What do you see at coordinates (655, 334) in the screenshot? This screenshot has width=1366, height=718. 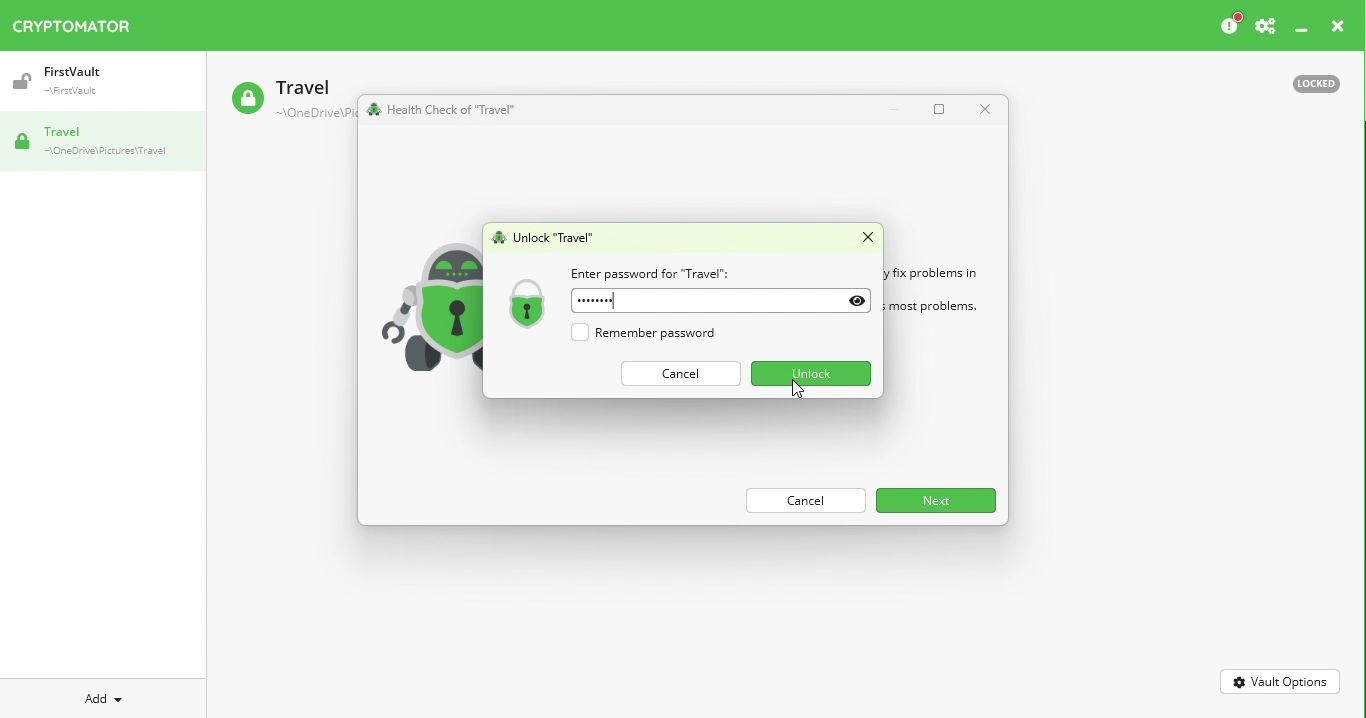 I see `Remember password` at bounding box center [655, 334].